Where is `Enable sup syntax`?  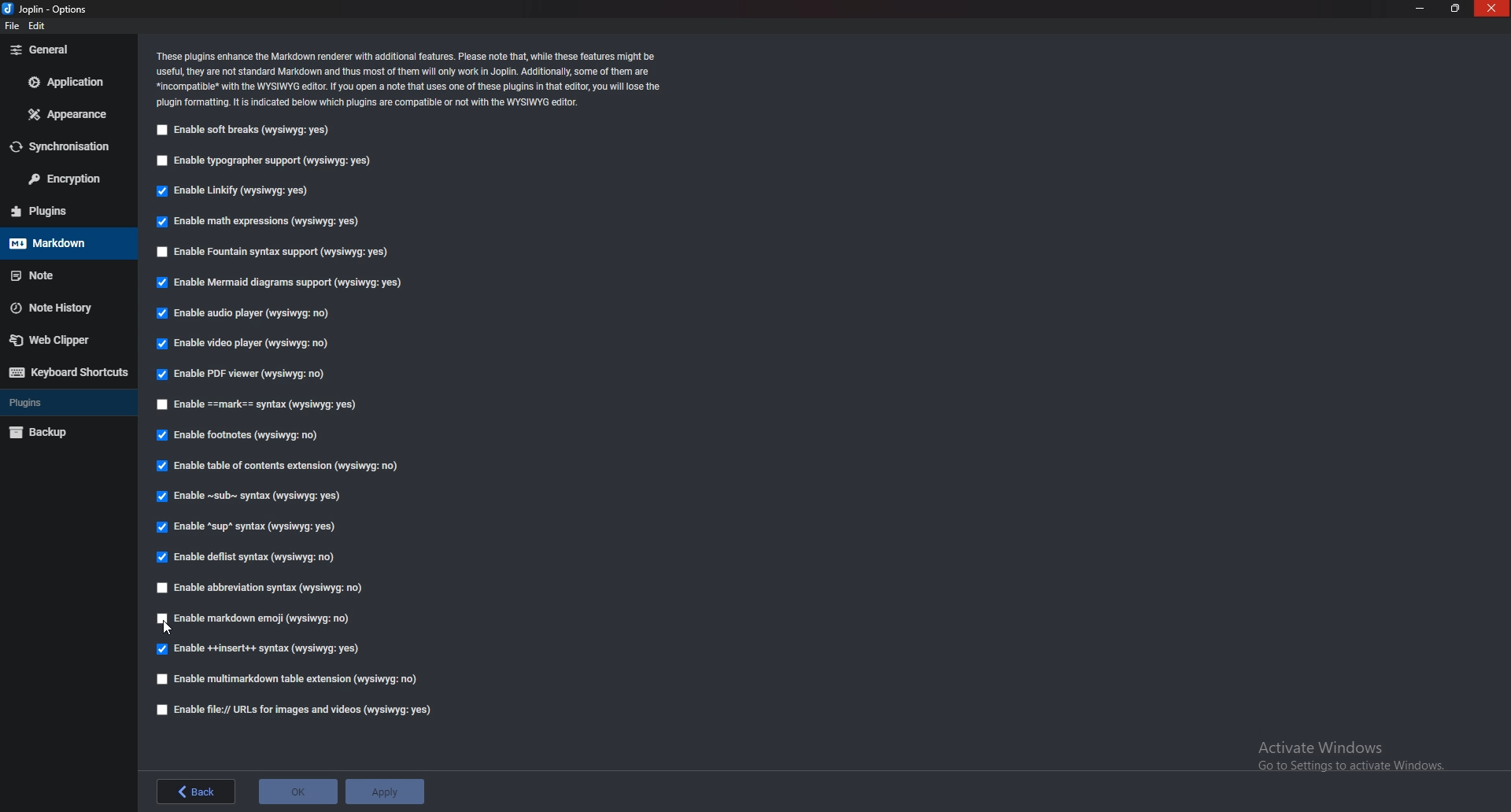
Enable sup syntax is located at coordinates (249, 526).